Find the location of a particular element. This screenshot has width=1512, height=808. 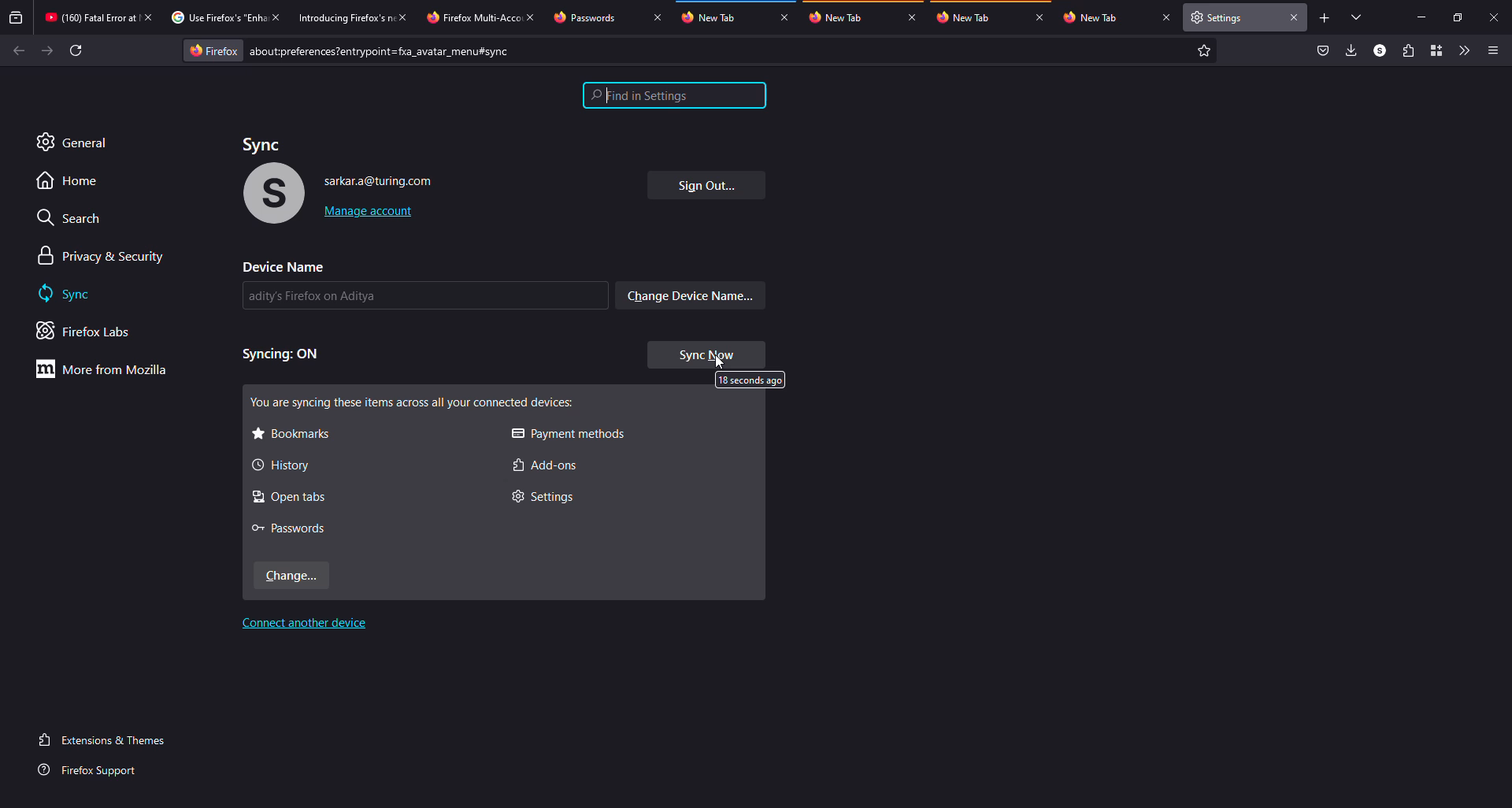

change is located at coordinates (691, 295).